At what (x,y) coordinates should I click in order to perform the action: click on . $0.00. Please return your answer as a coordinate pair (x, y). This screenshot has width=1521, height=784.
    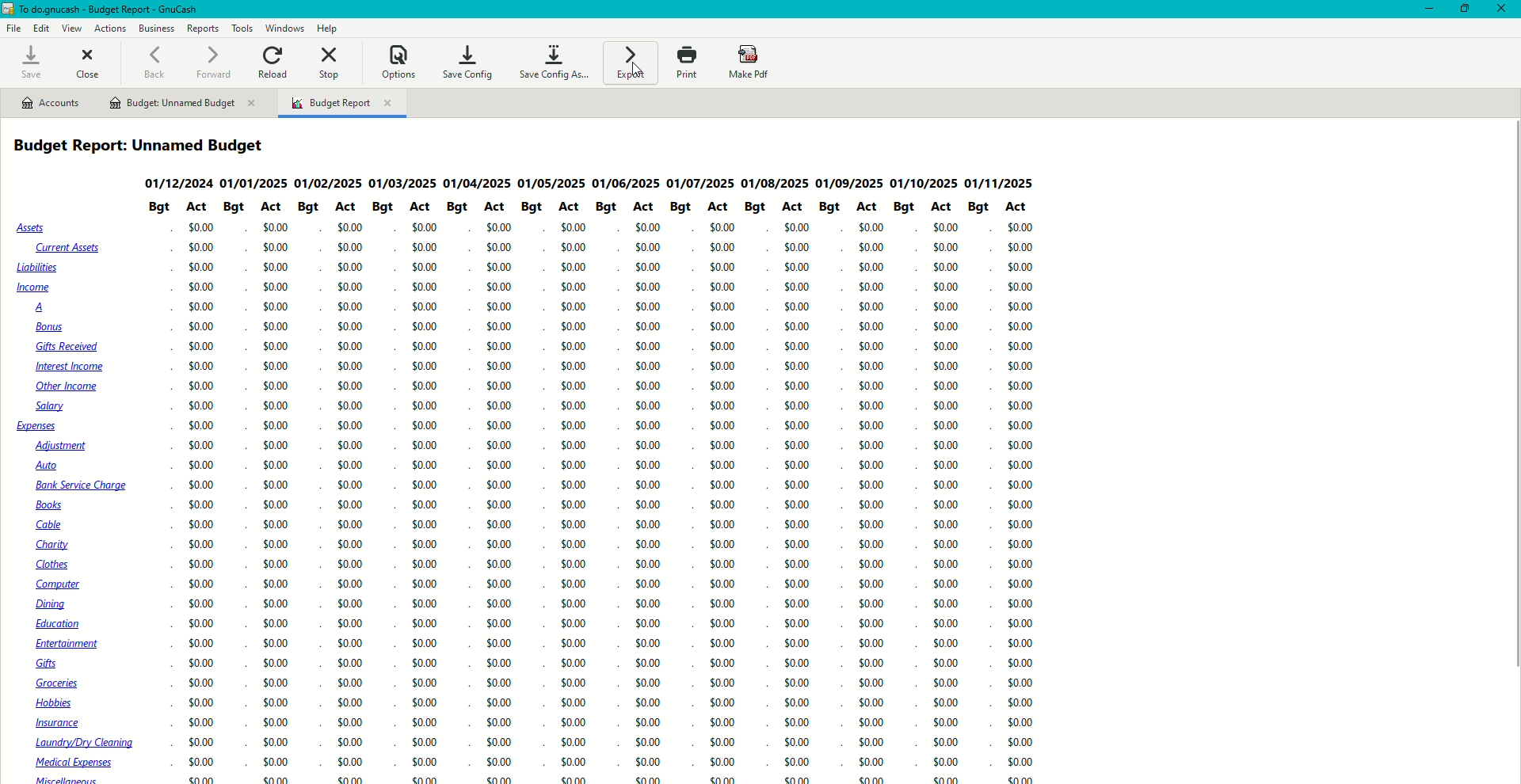
    Looking at the image, I should click on (497, 622).